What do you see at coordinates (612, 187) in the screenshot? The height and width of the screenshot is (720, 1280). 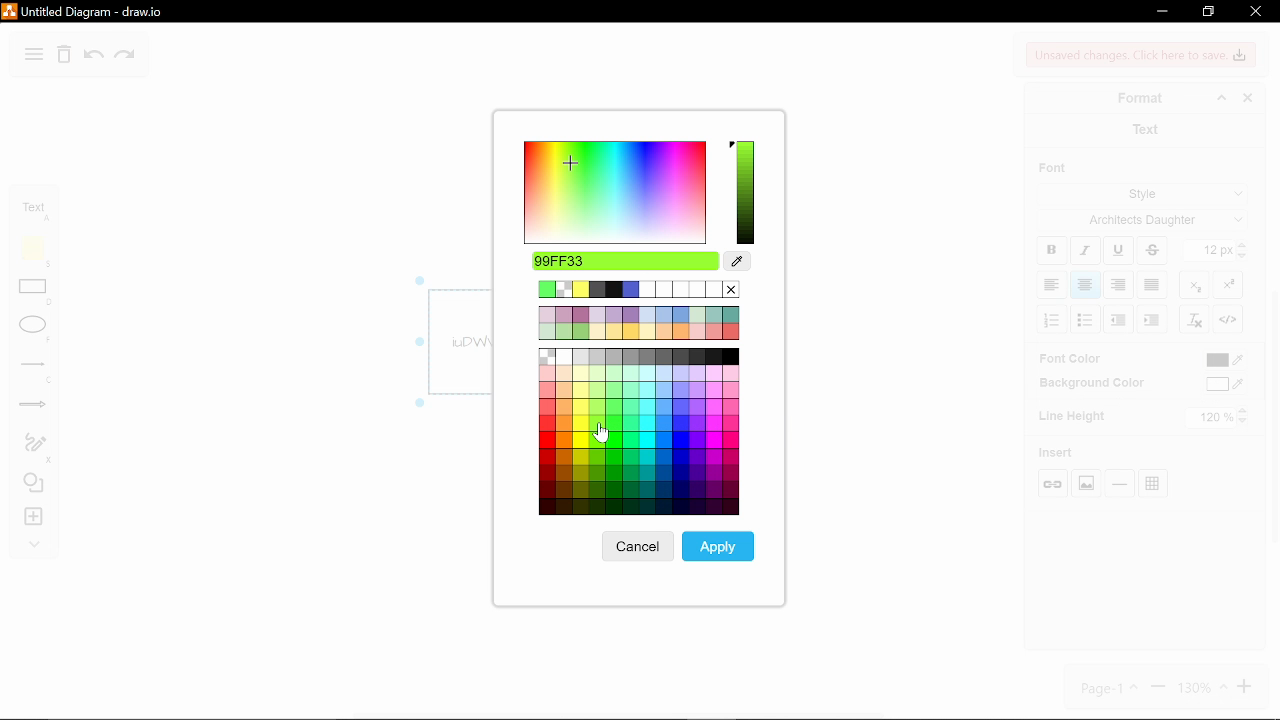 I see `color spectrum` at bounding box center [612, 187].